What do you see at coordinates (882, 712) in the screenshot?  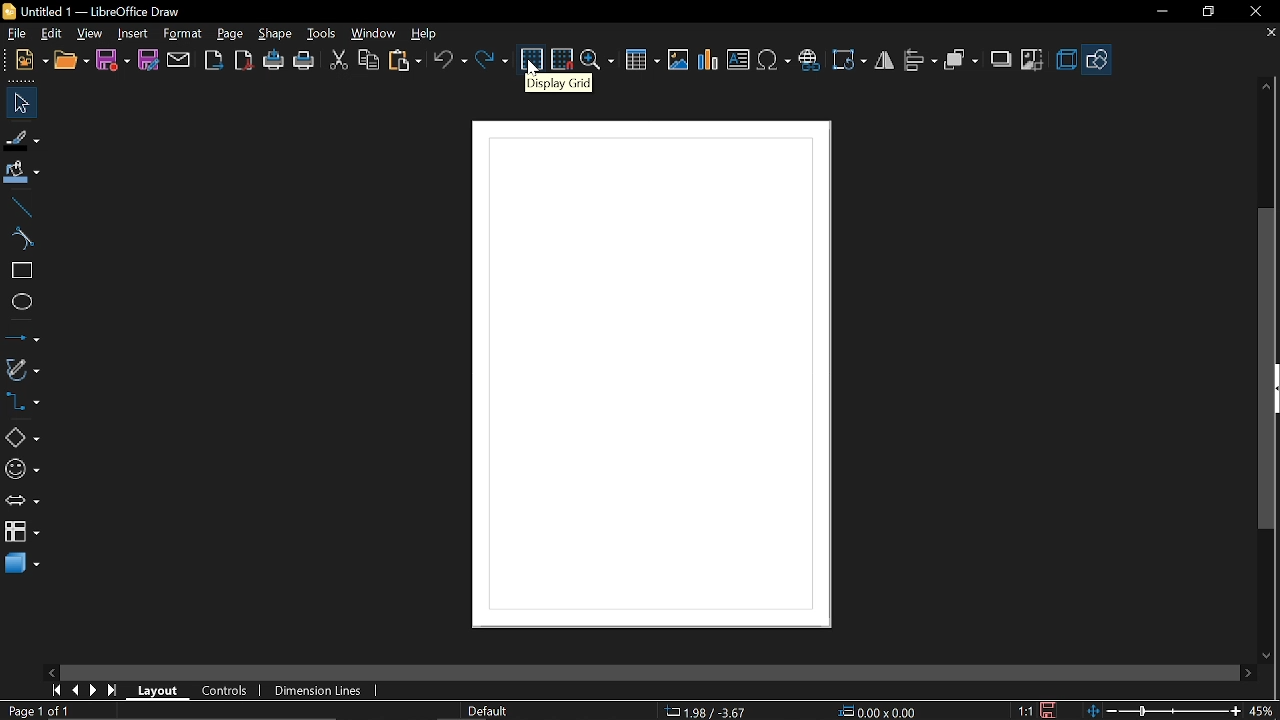 I see `0.00 x 0.00` at bounding box center [882, 712].